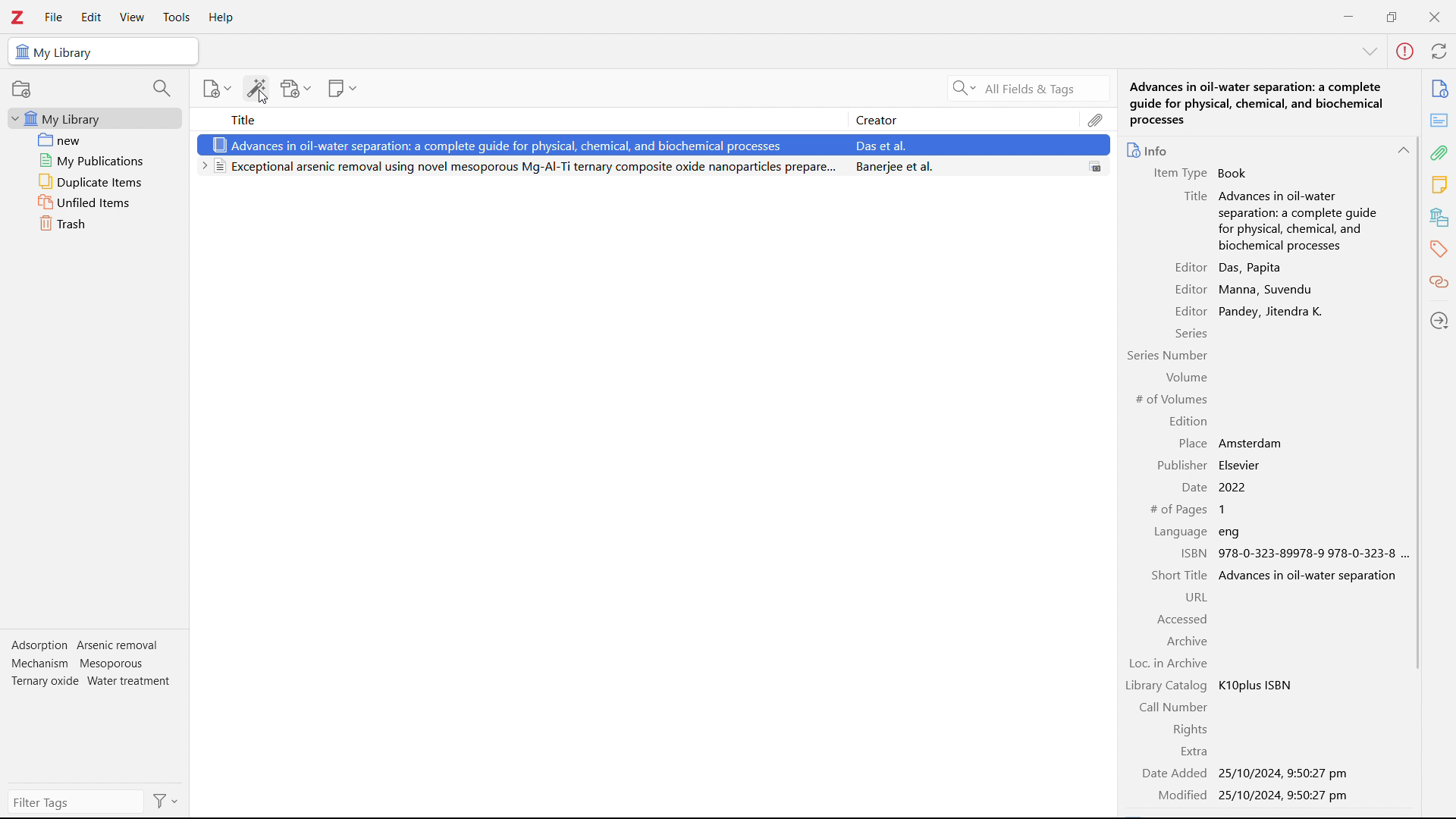 Image resolution: width=1456 pixels, height=819 pixels. What do you see at coordinates (1310, 576) in the screenshot?
I see `Advances in oil-water separation` at bounding box center [1310, 576].